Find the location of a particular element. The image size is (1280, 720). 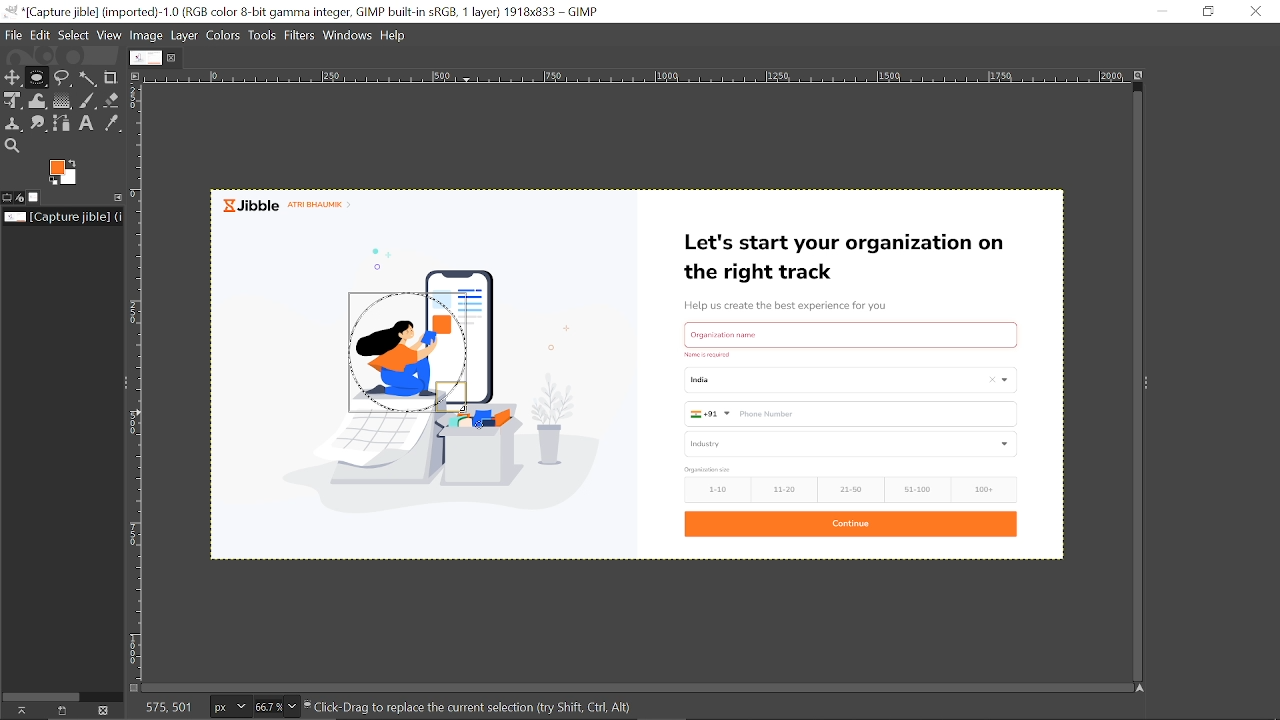

 is located at coordinates (112, 35).